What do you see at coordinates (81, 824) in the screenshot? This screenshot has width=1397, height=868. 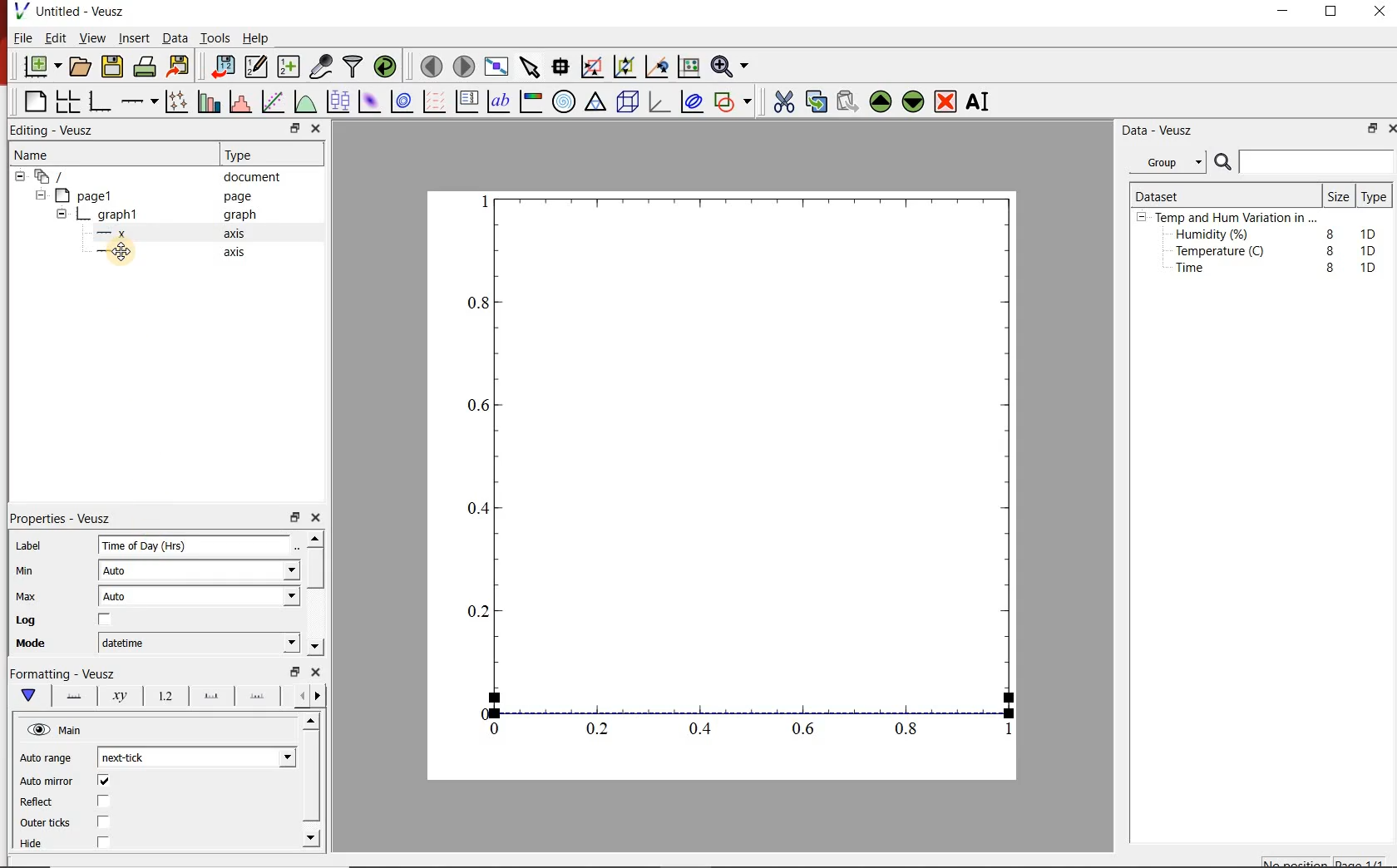 I see `Outer ticks` at bounding box center [81, 824].